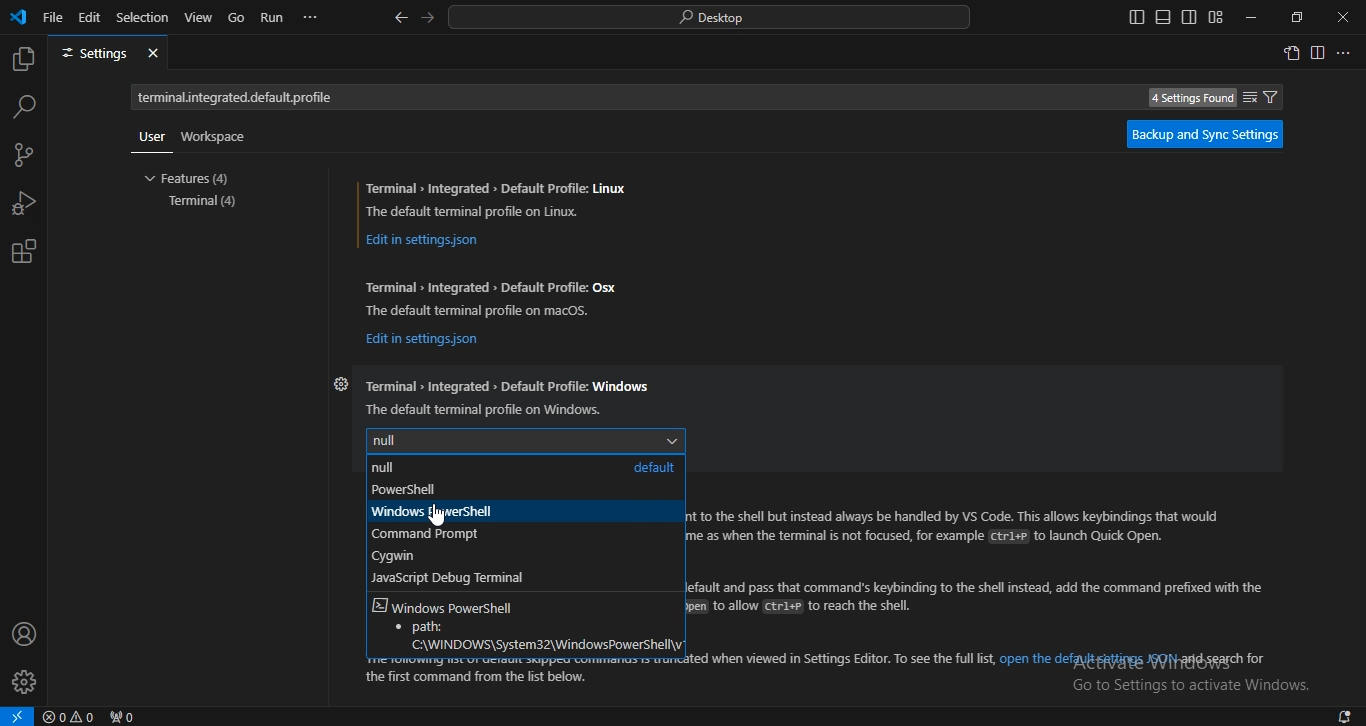 Image resolution: width=1366 pixels, height=726 pixels. I want to click on cygwin, so click(394, 556).